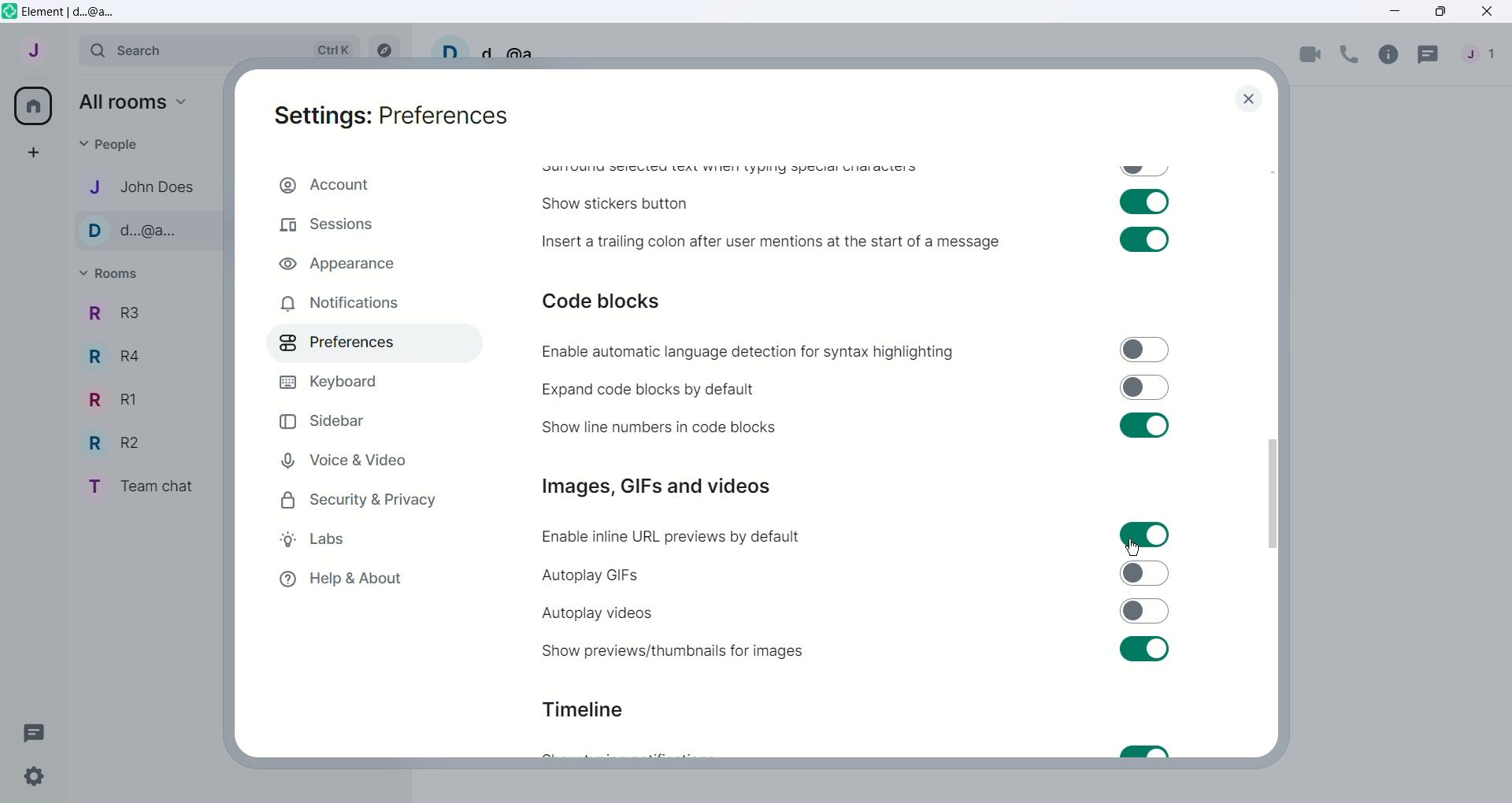  What do you see at coordinates (370, 261) in the screenshot?
I see `Appearance` at bounding box center [370, 261].